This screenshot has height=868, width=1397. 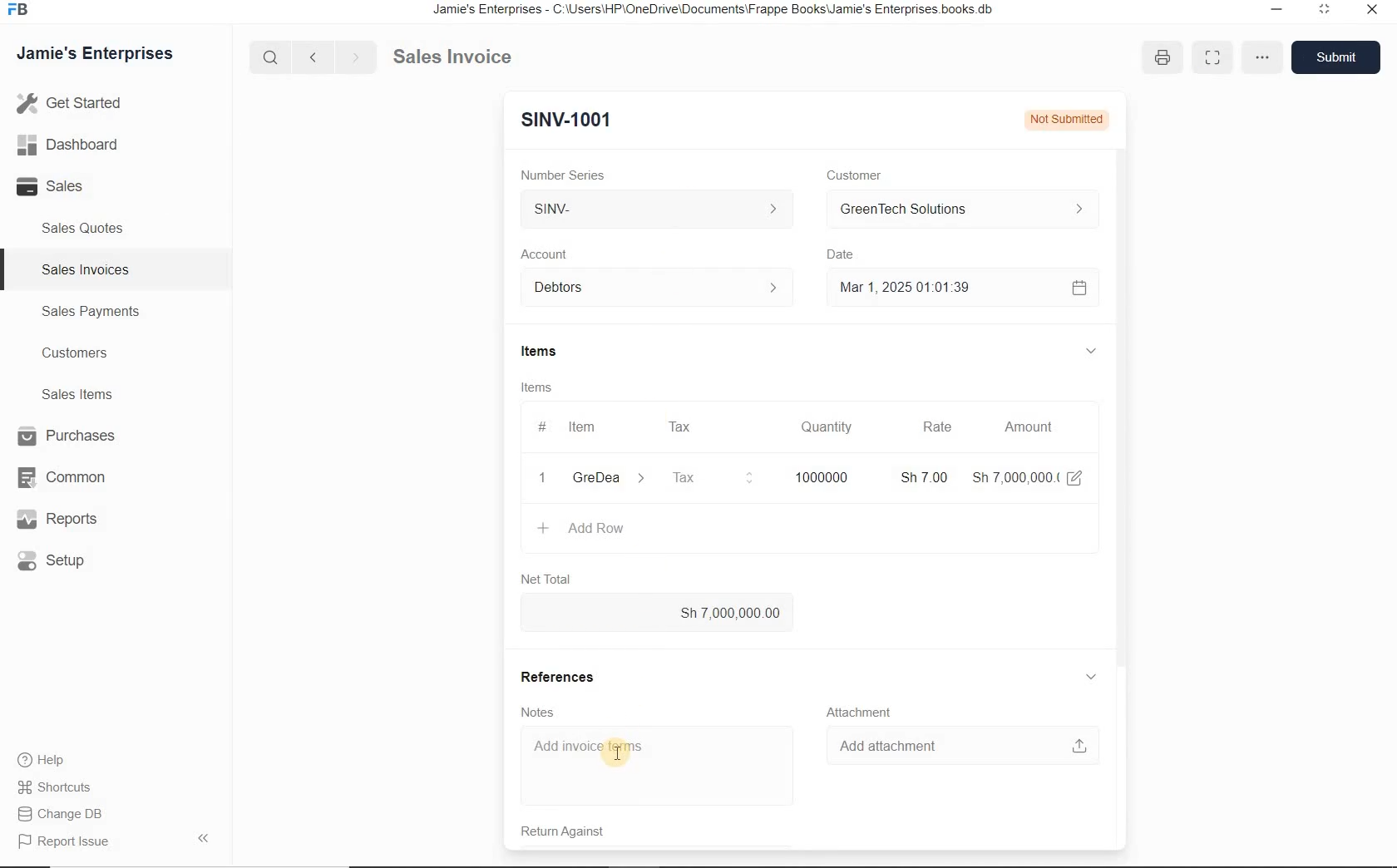 I want to click on Items., so click(x=536, y=387).